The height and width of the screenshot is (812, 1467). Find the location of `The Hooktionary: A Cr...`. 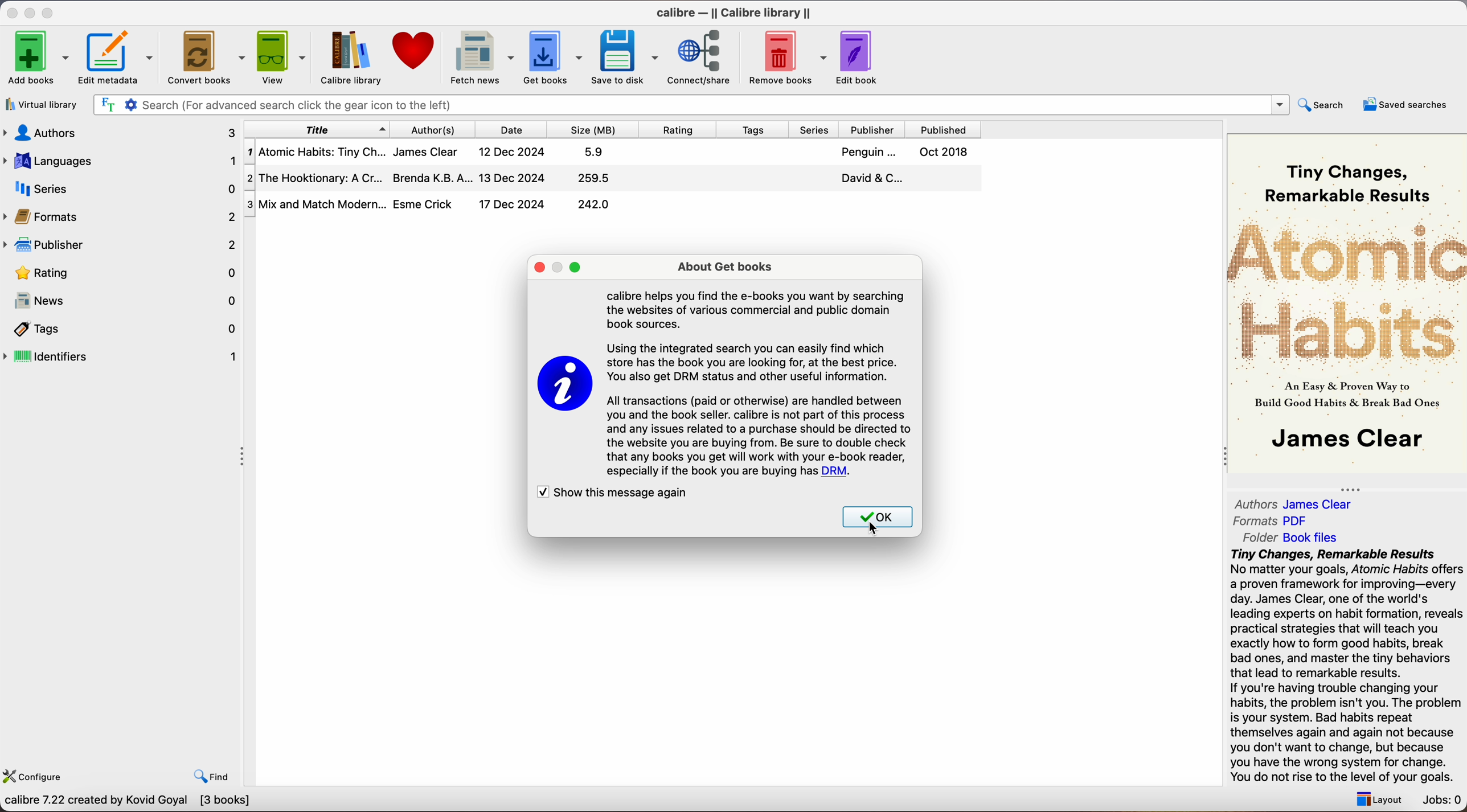

The Hooktionary: A Cr... is located at coordinates (315, 180).